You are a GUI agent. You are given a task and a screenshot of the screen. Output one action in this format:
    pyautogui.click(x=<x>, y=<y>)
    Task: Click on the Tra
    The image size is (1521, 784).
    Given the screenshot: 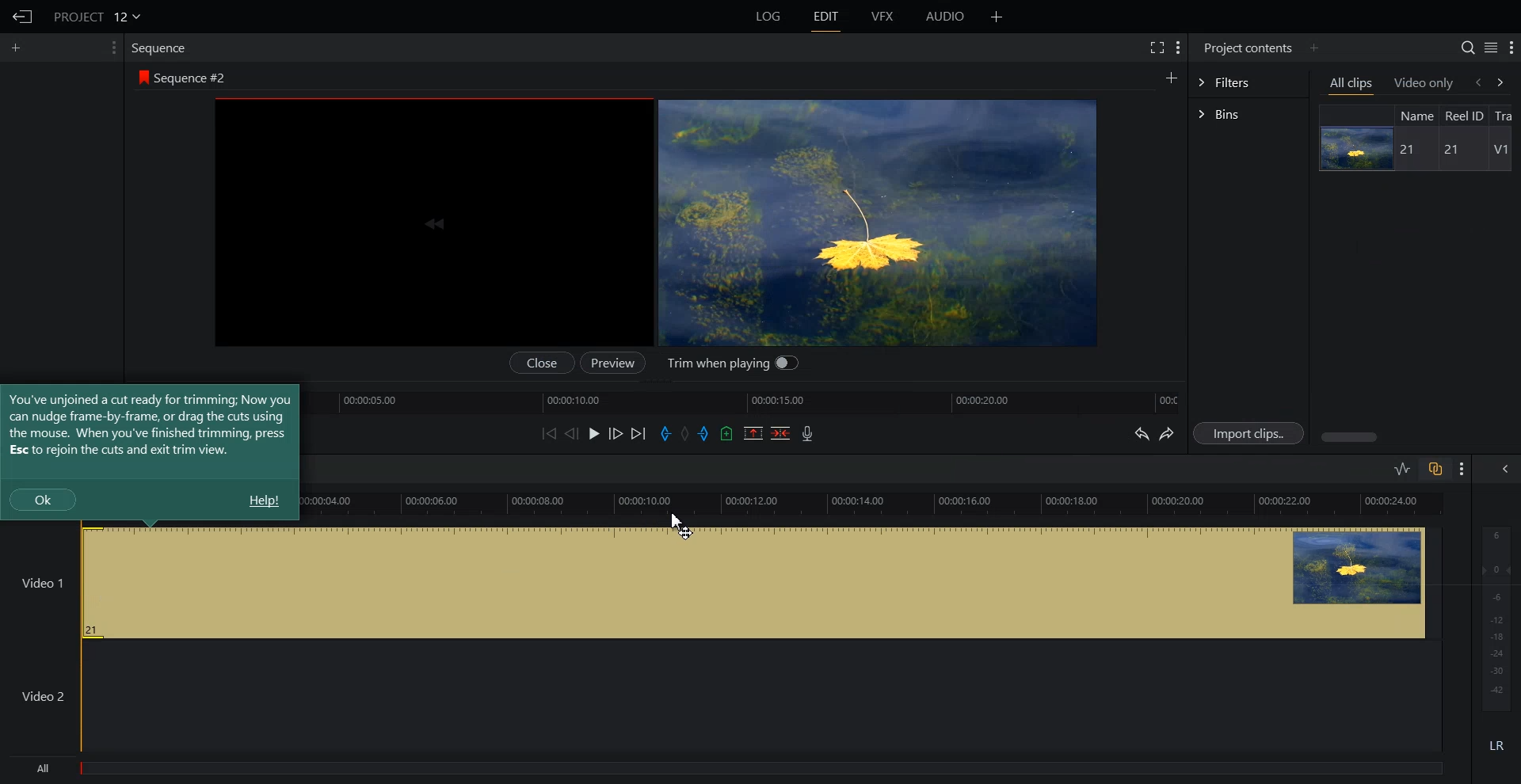 What is the action you would take?
    pyautogui.click(x=1507, y=114)
    